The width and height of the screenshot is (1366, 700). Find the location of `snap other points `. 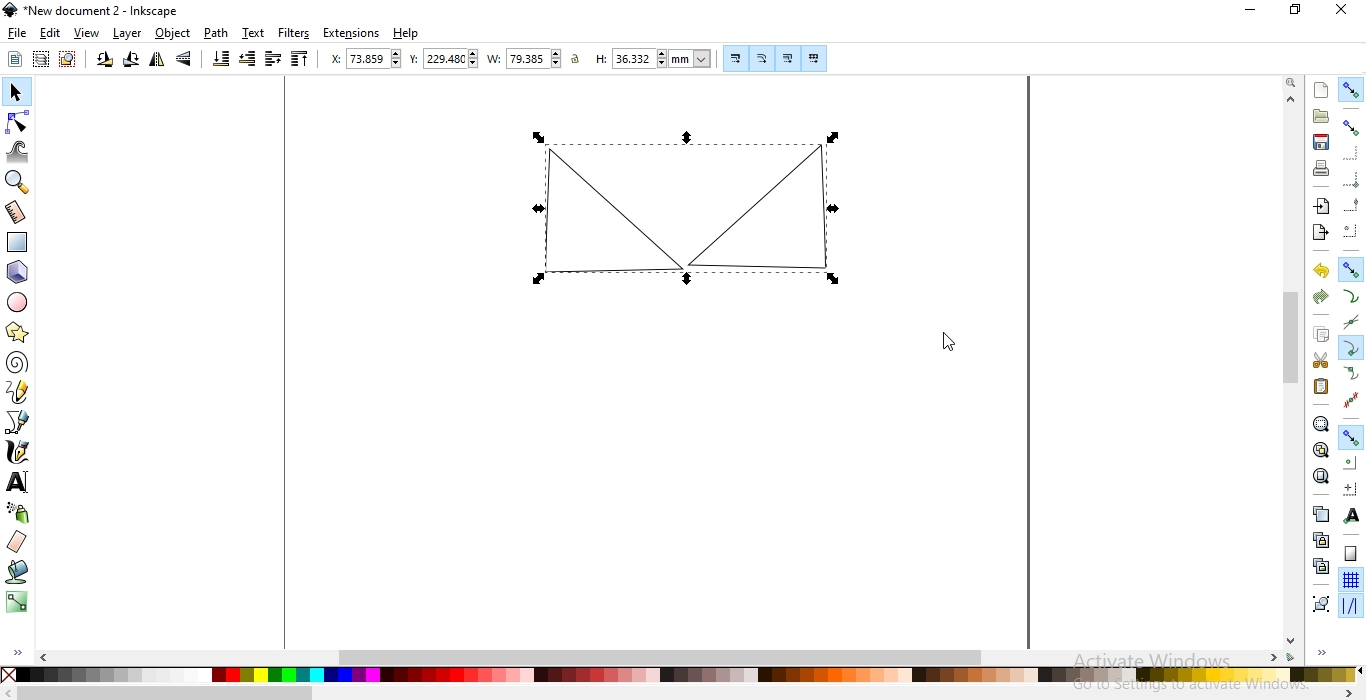

snap other points  is located at coordinates (1350, 437).